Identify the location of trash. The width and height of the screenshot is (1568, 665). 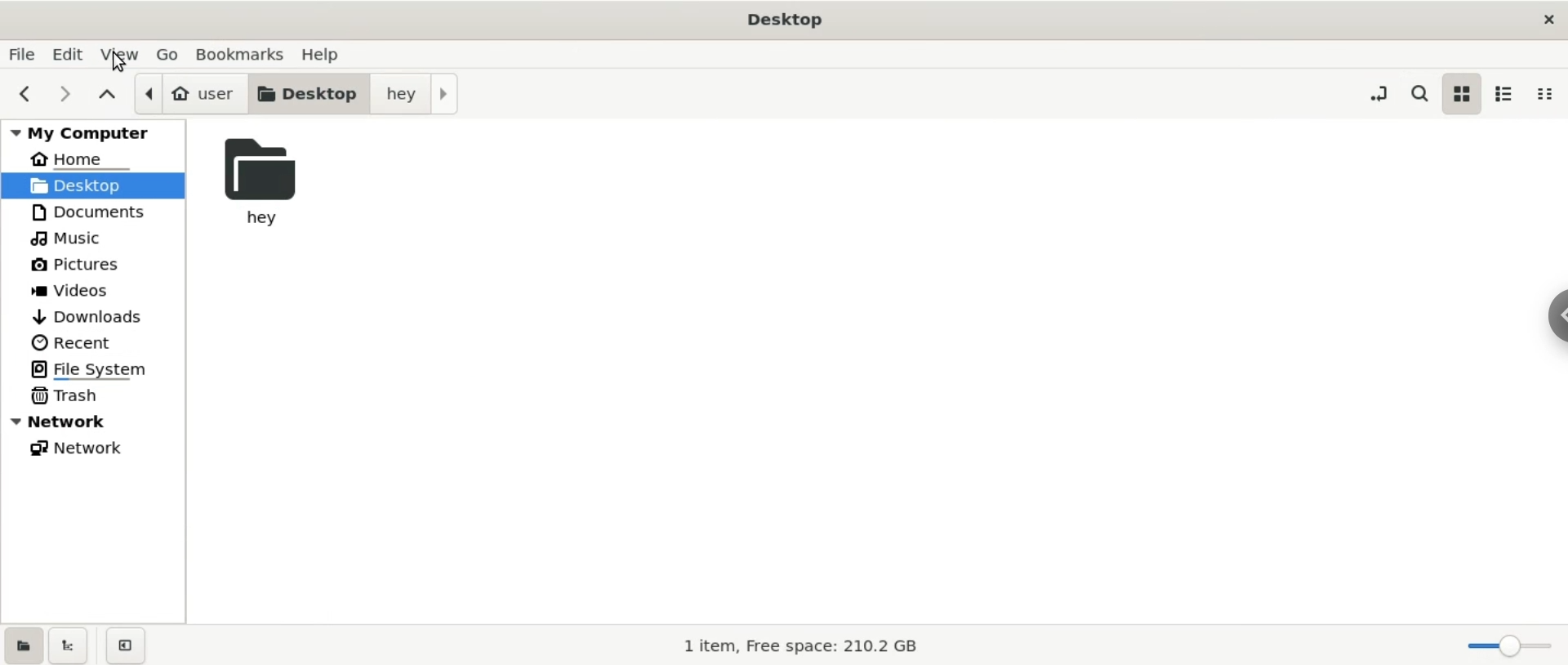
(100, 397).